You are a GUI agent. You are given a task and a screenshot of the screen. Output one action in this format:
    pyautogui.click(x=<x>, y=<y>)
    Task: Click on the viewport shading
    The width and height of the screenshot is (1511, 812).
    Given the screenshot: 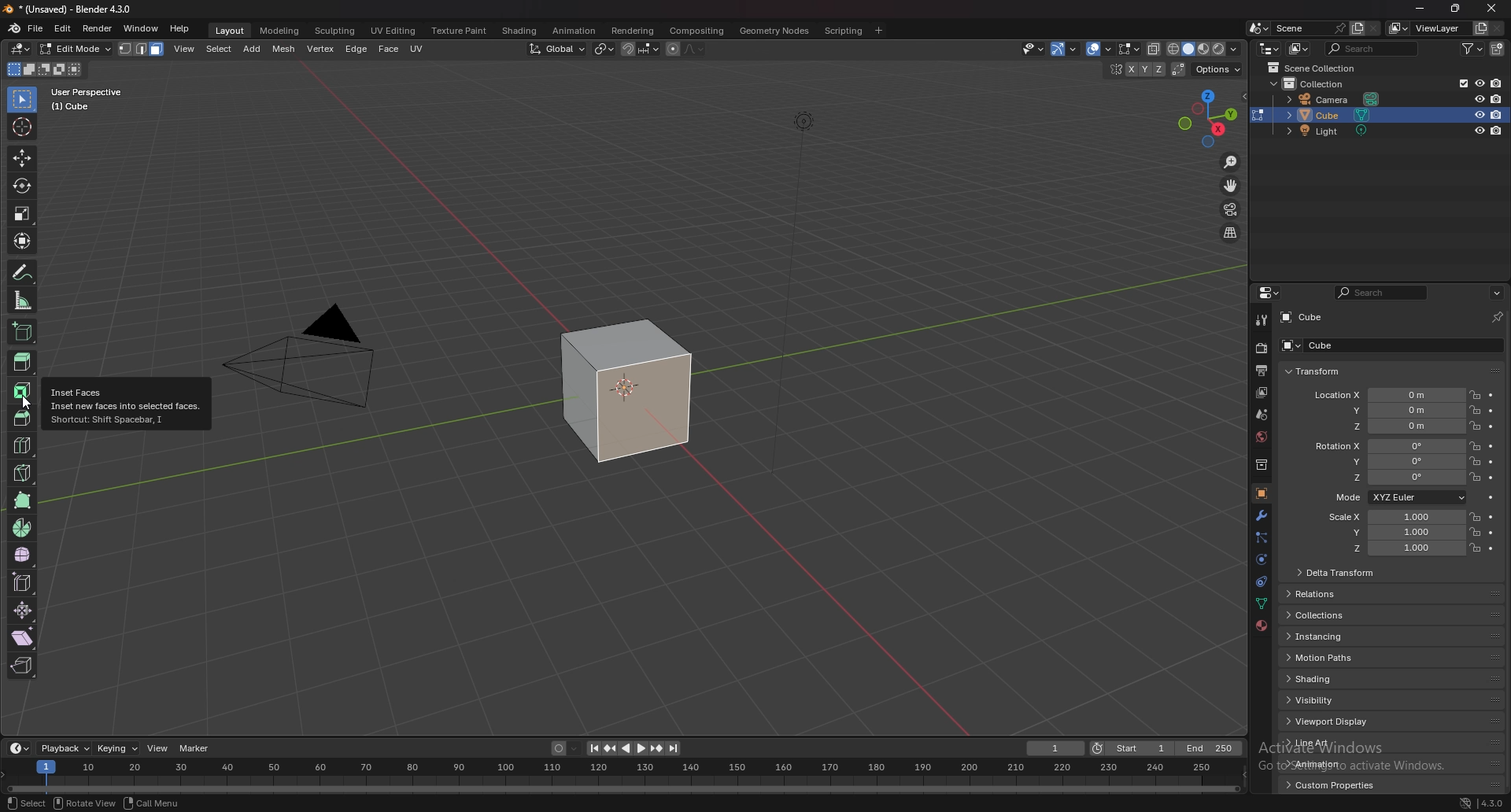 What is the action you would take?
    pyautogui.click(x=1206, y=49)
    